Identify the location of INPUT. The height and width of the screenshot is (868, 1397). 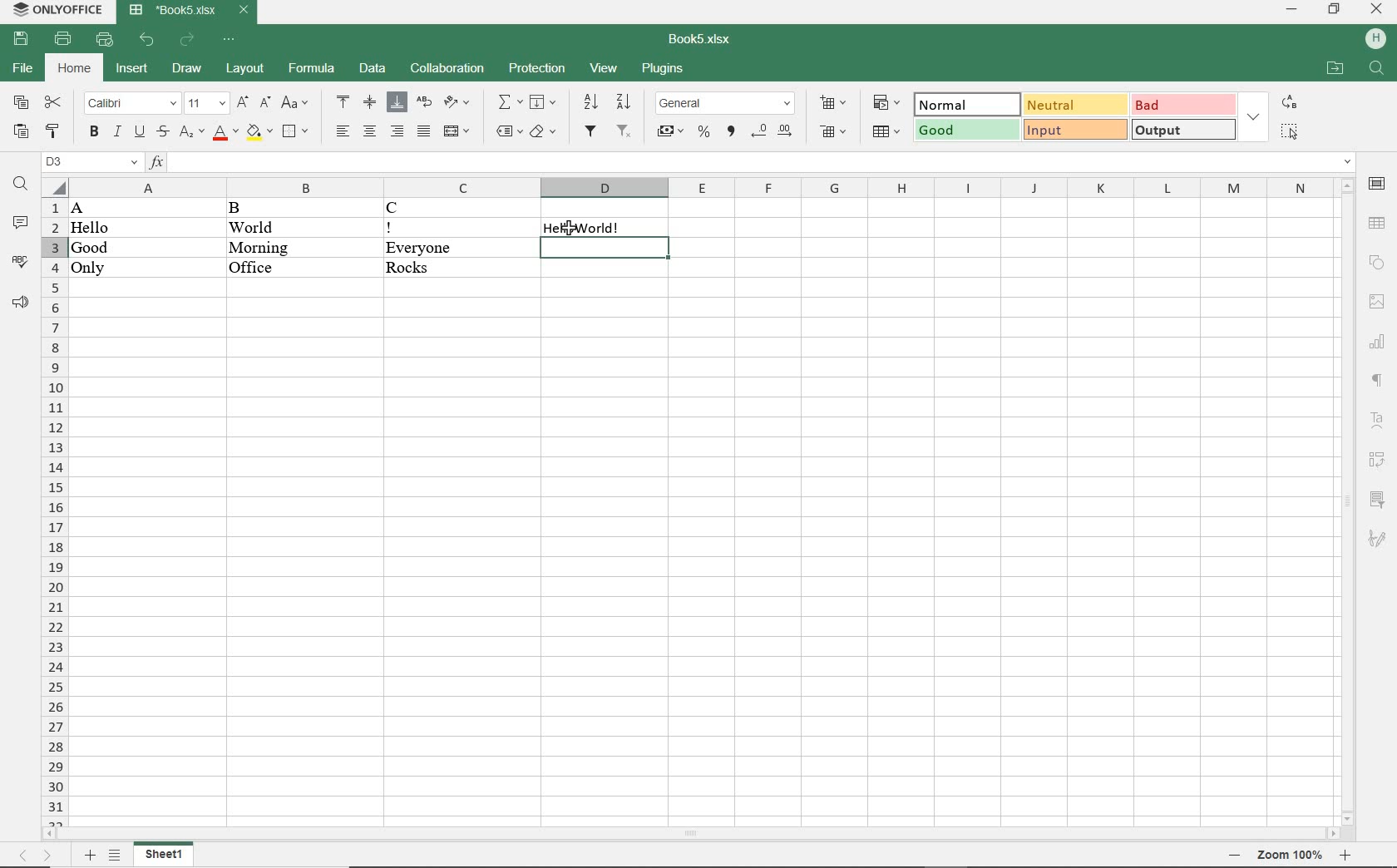
(1073, 130).